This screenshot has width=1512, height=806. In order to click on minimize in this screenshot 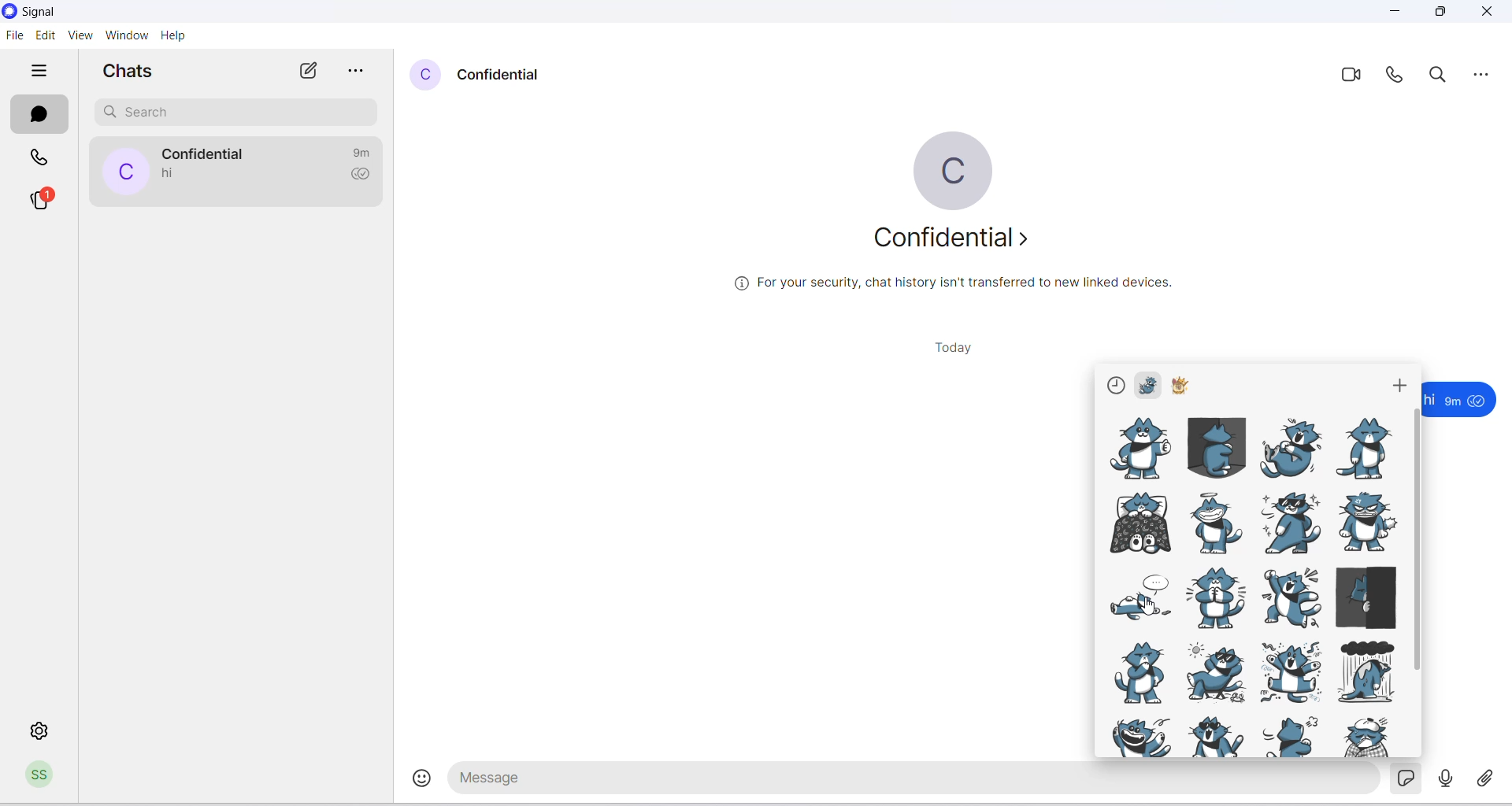, I will do `click(1395, 14)`.